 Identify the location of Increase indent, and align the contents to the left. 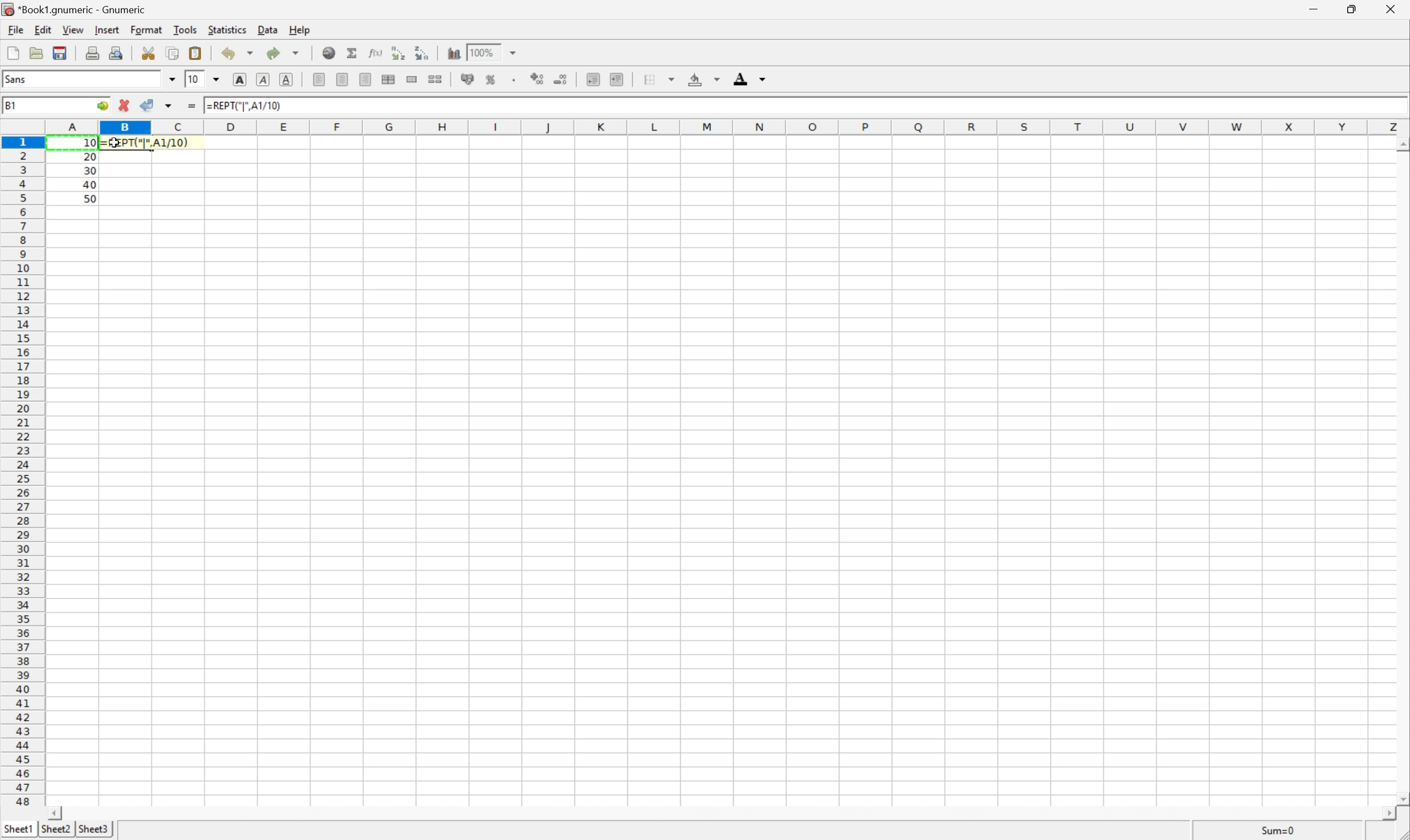
(617, 79).